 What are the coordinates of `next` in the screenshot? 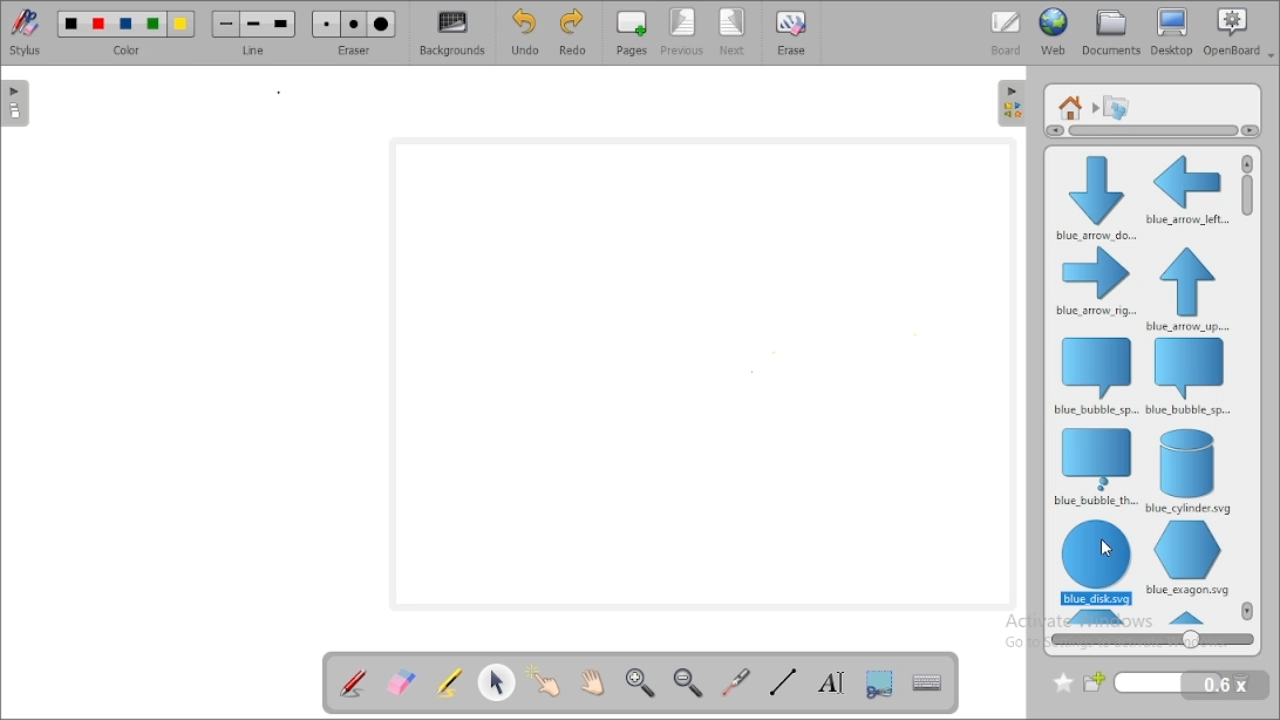 It's located at (734, 32).